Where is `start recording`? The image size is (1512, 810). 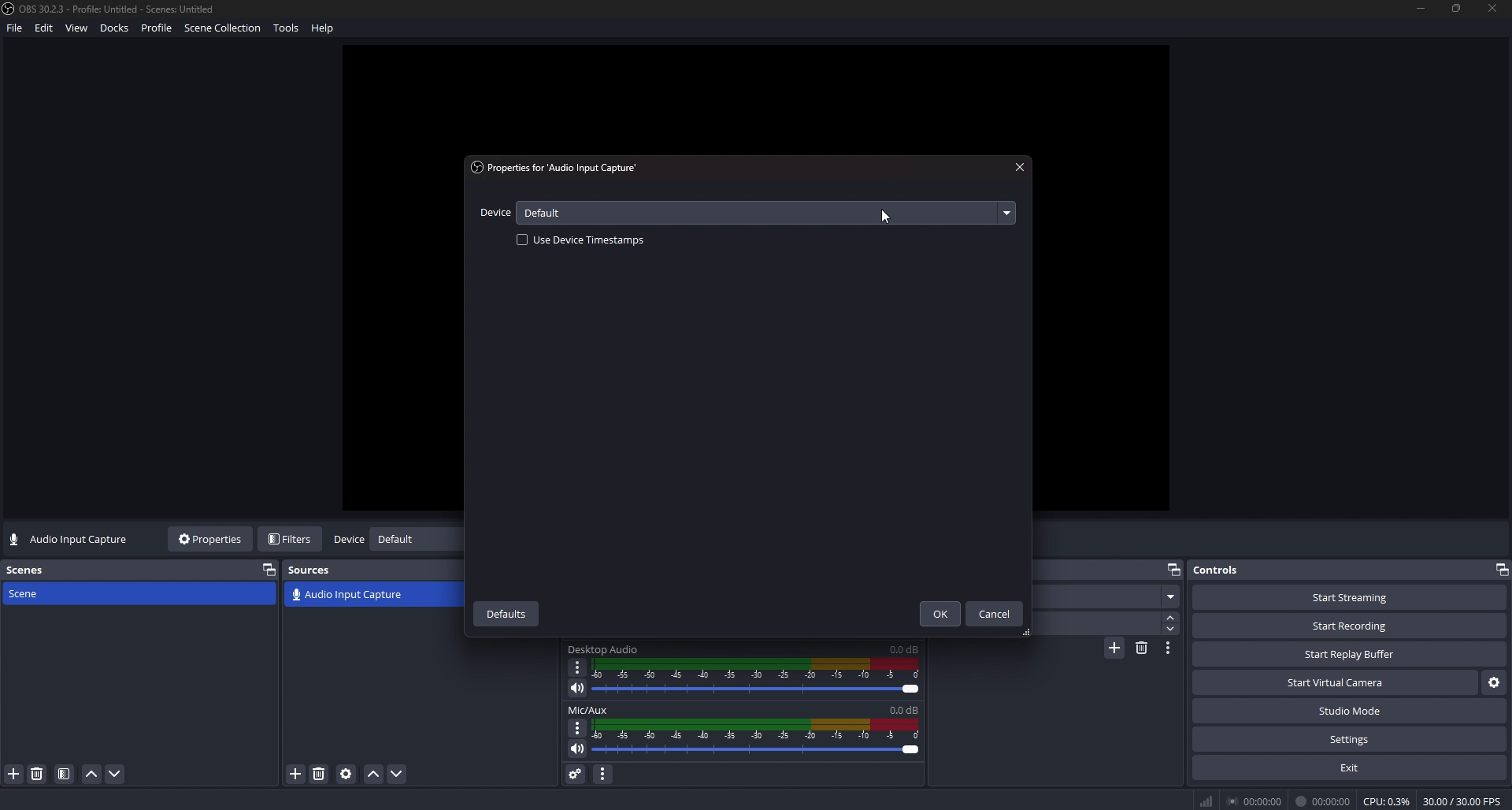
start recording is located at coordinates (1350, 626).